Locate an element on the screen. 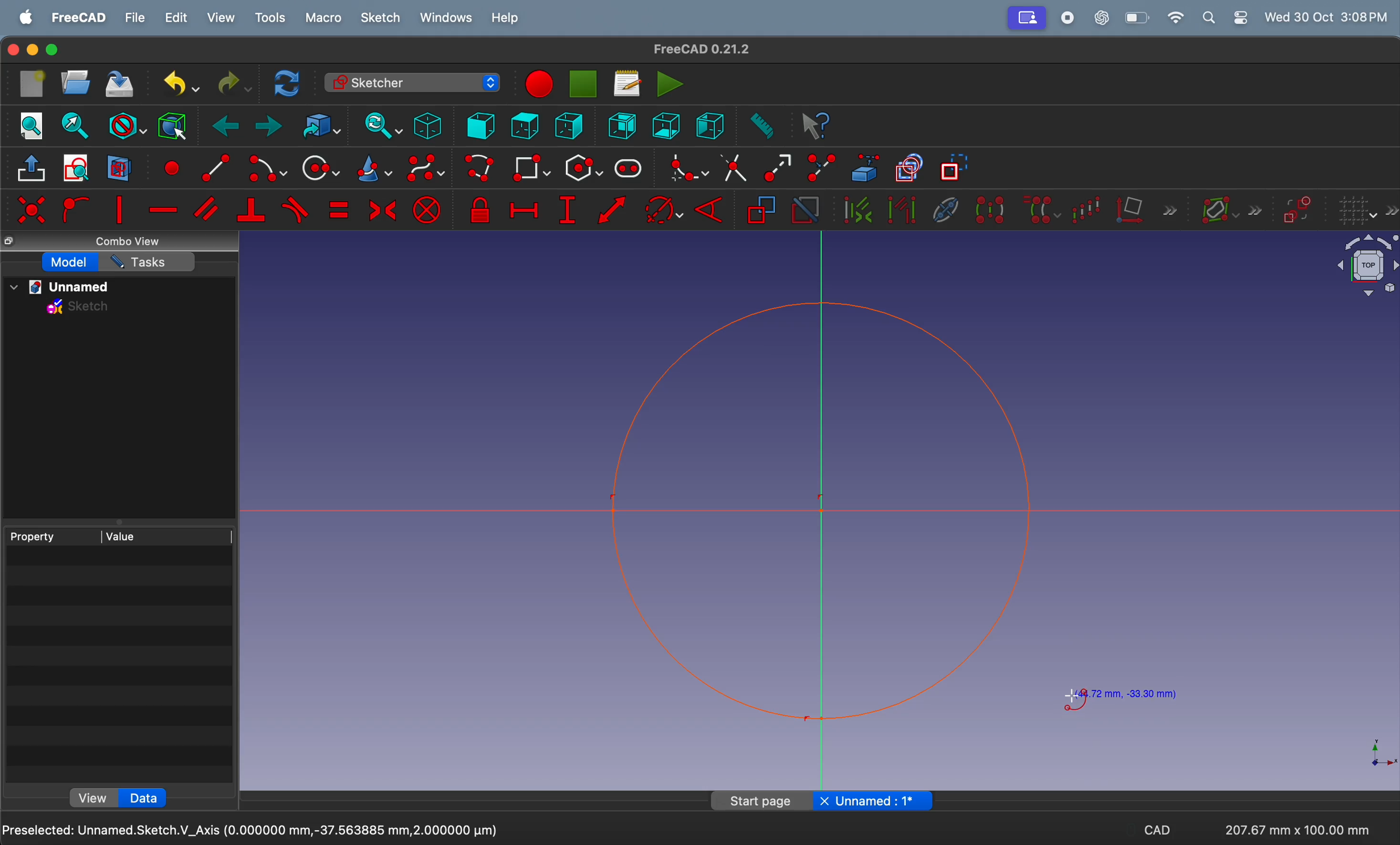 The width and height of the screenshot is (1400, 845). constrain parallel is located at coordinates (209, 209).